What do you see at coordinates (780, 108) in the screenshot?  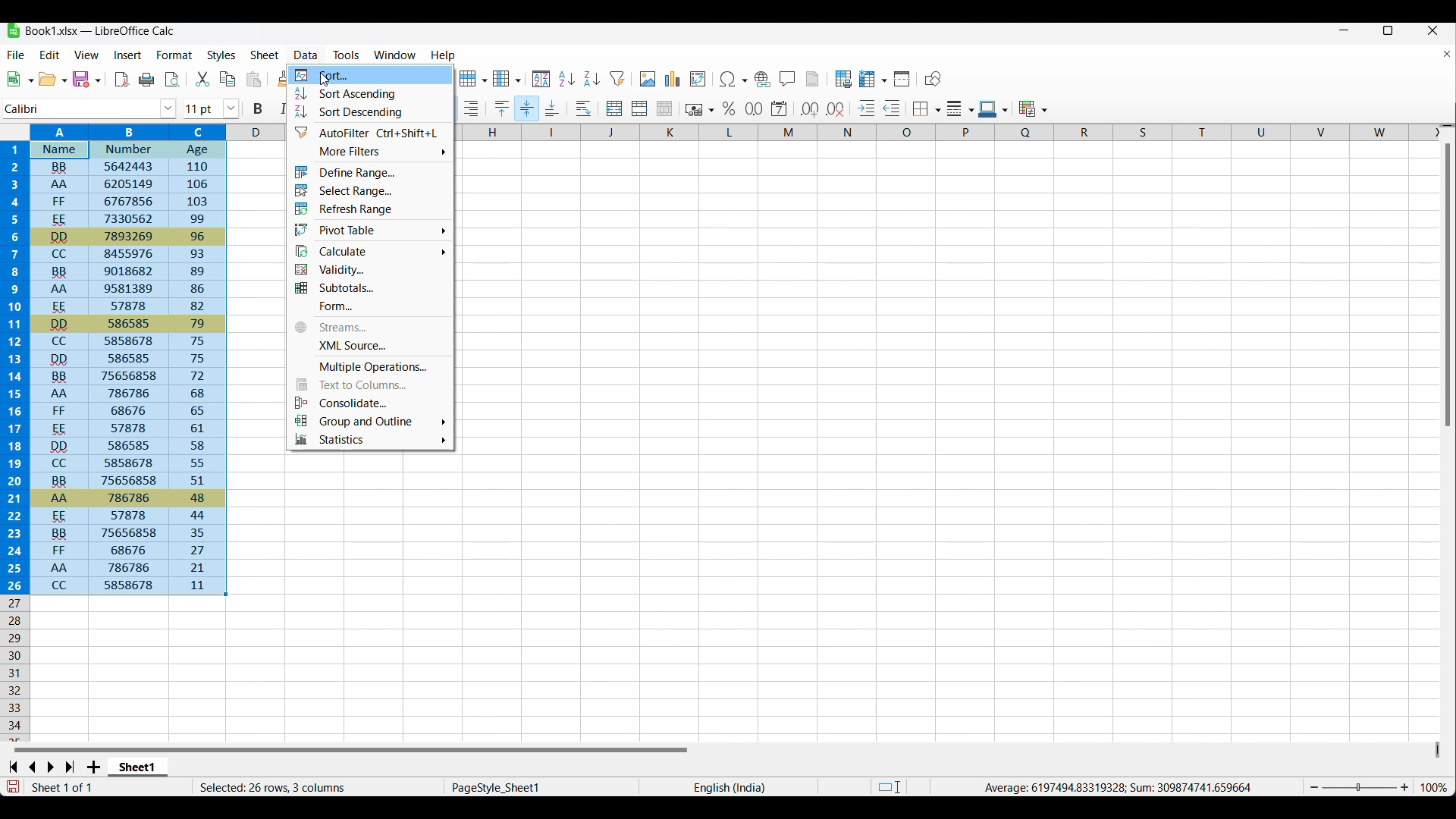 I see `Format as date` at bounding box center [780, 108].